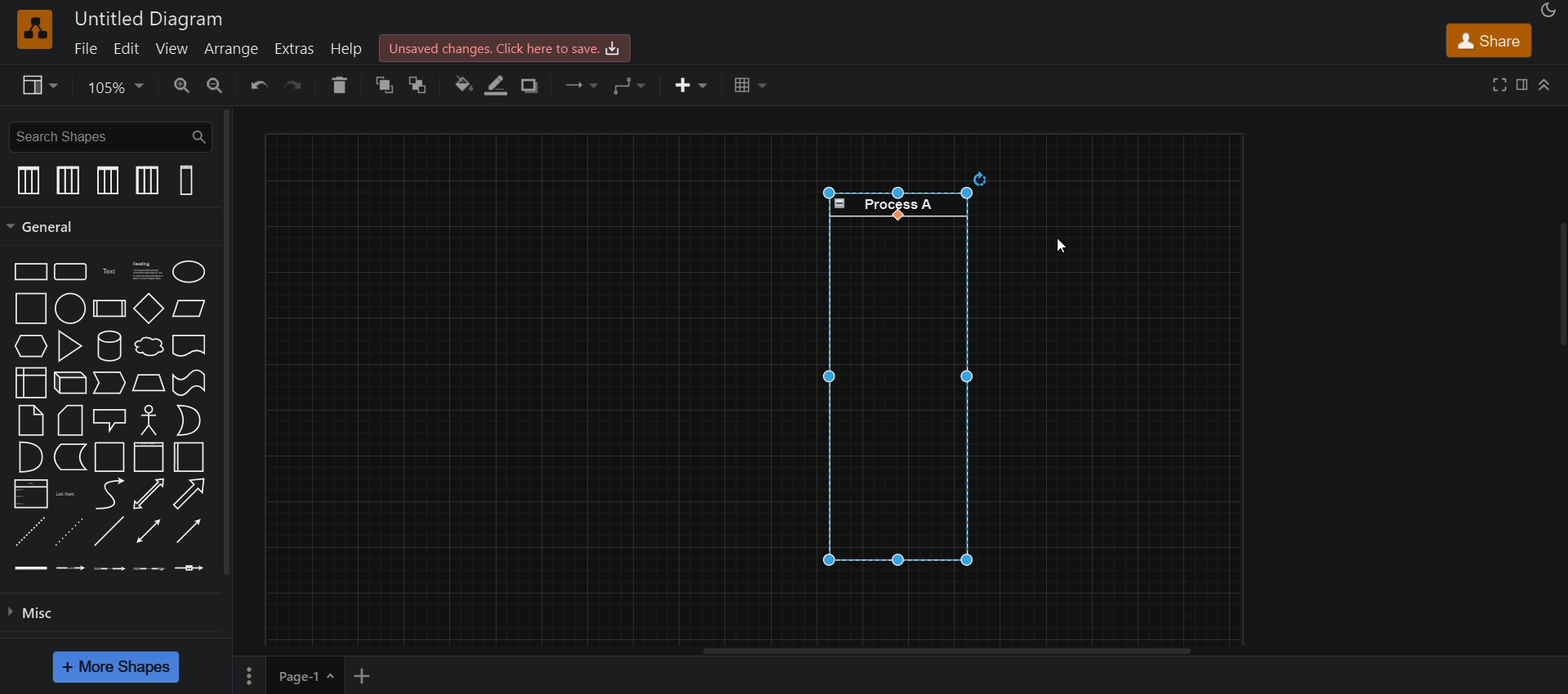  What do you see at coordinates (150, 421) in the screenshot?
I see `actor` at bounding box center [150, 421].